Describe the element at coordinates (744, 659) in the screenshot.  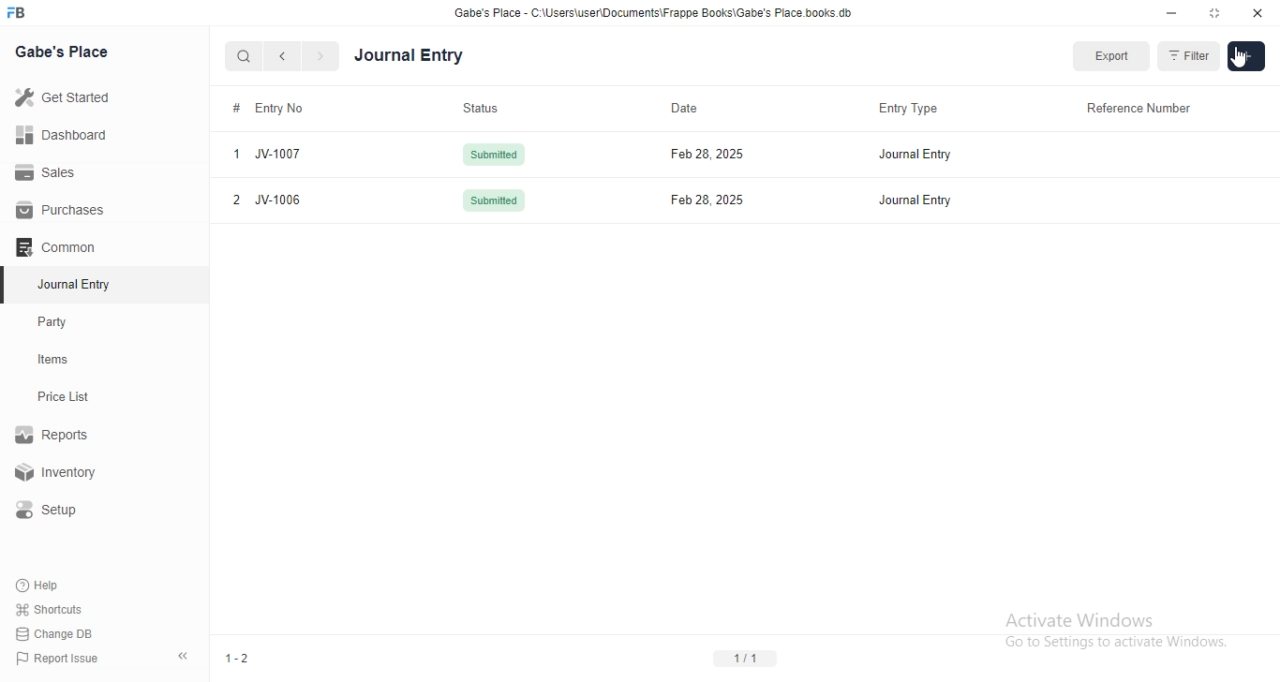
I see `1/1` at that location.